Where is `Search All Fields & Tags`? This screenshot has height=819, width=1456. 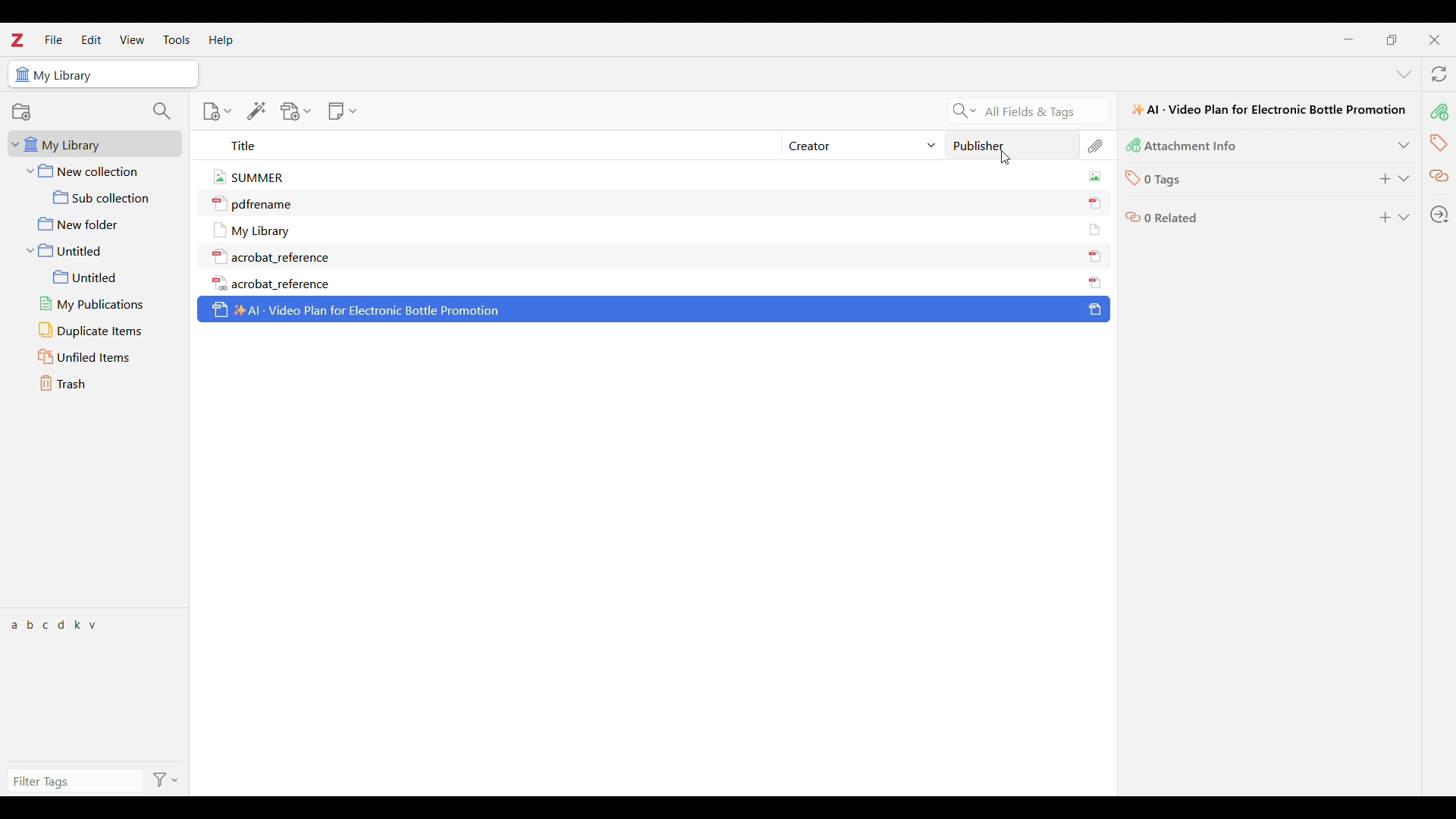
Search All Fields & Tags is located at coordinates (1046, 111).